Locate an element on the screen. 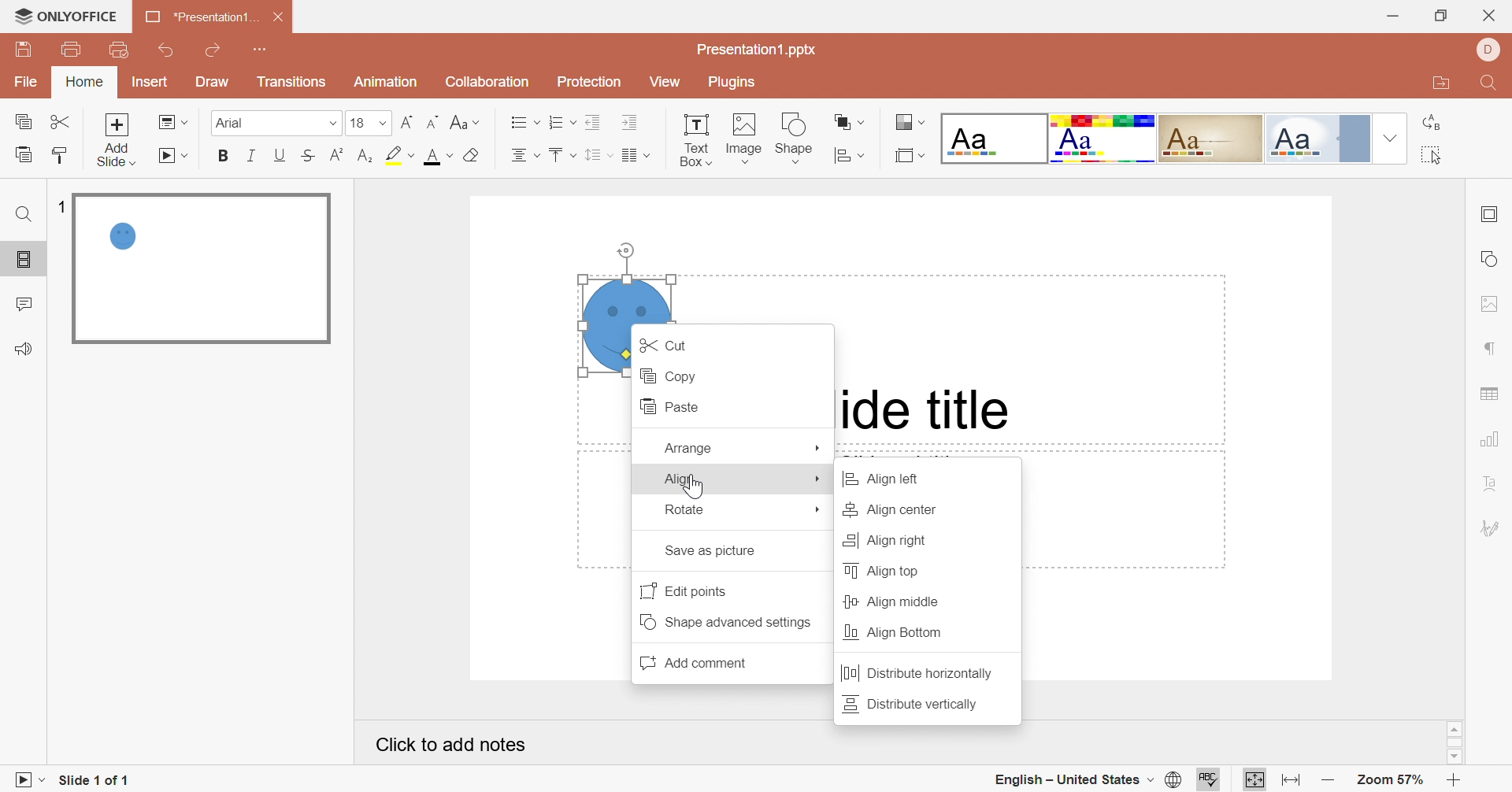  Align Middle is located at coordinates (892, 602).